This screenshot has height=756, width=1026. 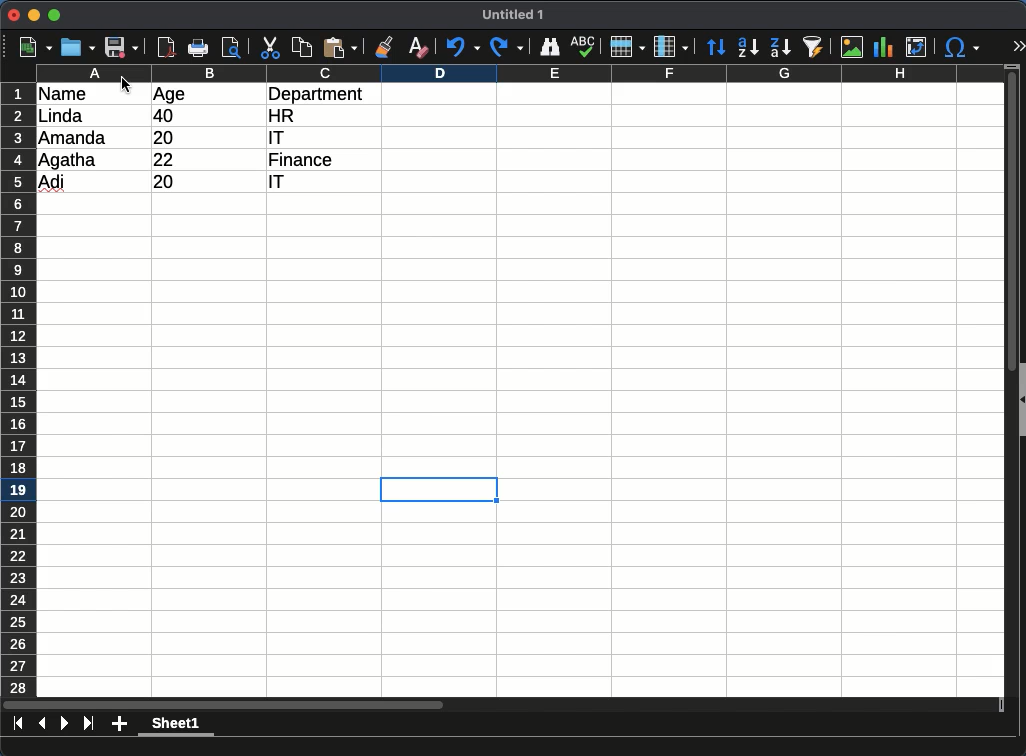 I want to click on last page, so click(x=88, y=725).